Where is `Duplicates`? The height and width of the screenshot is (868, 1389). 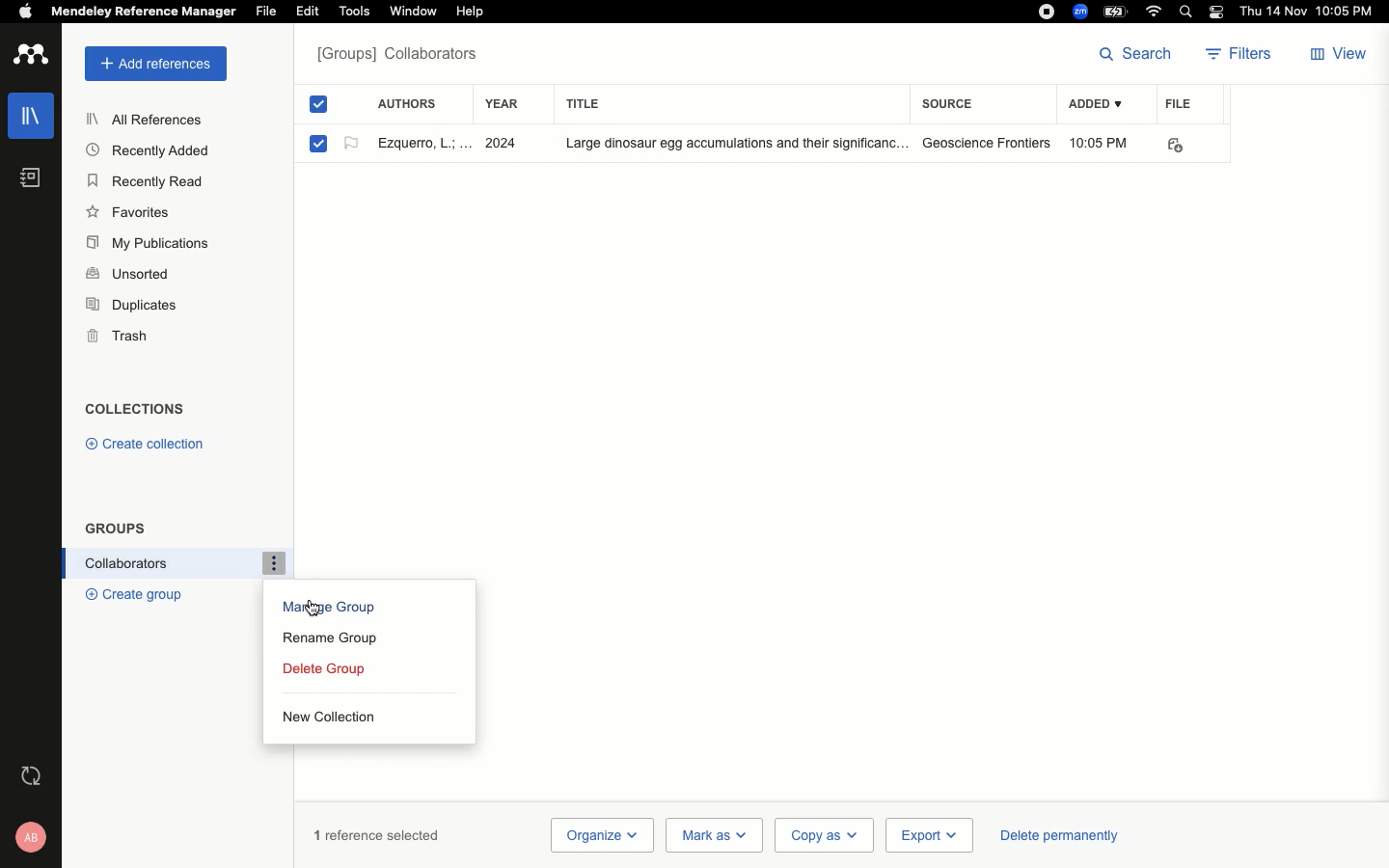 Duplicates is located at coordinates (129, 303).